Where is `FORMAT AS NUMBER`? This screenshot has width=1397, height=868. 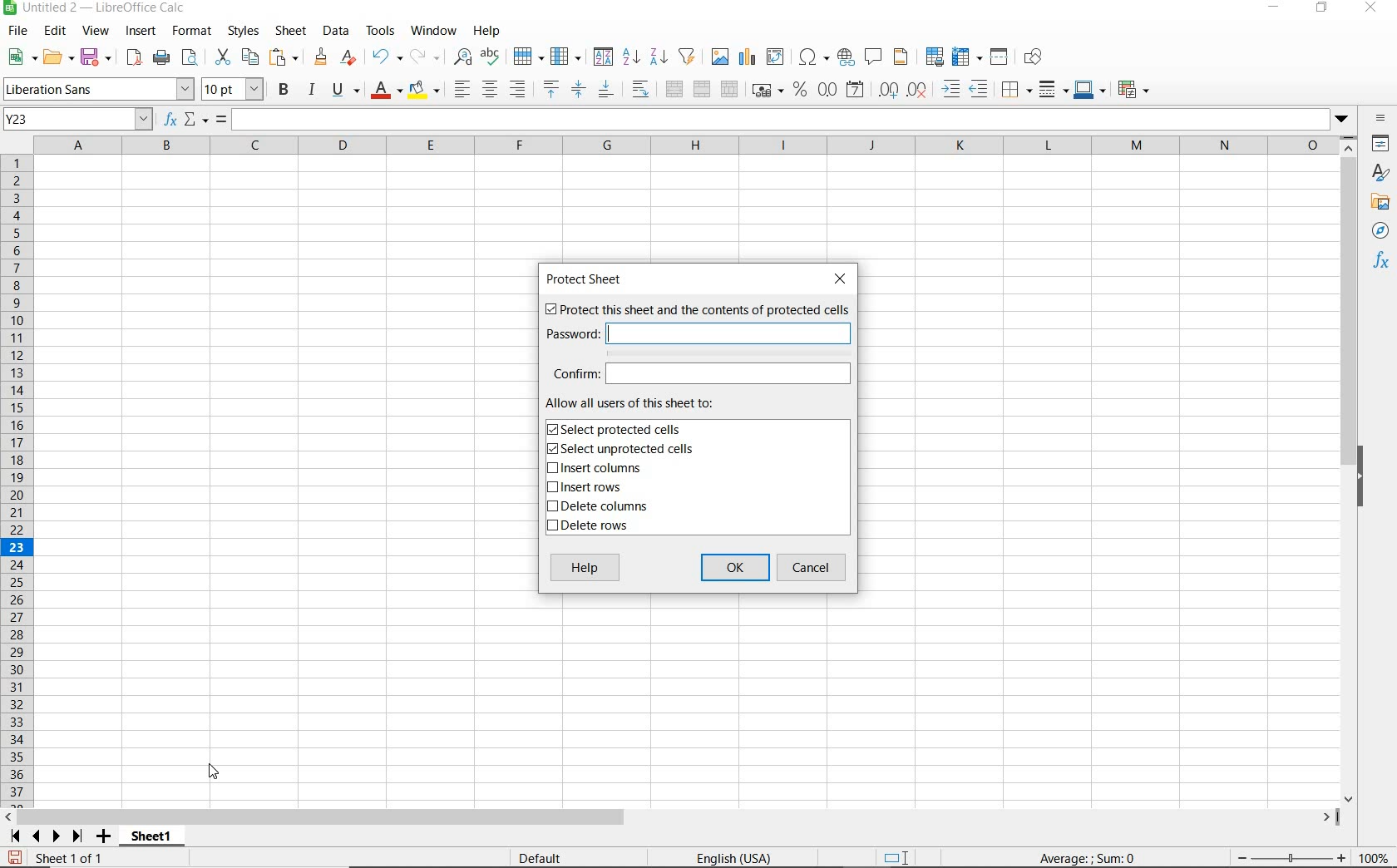
FORMAT AS NUMBER is located at coordinates (828, 89).